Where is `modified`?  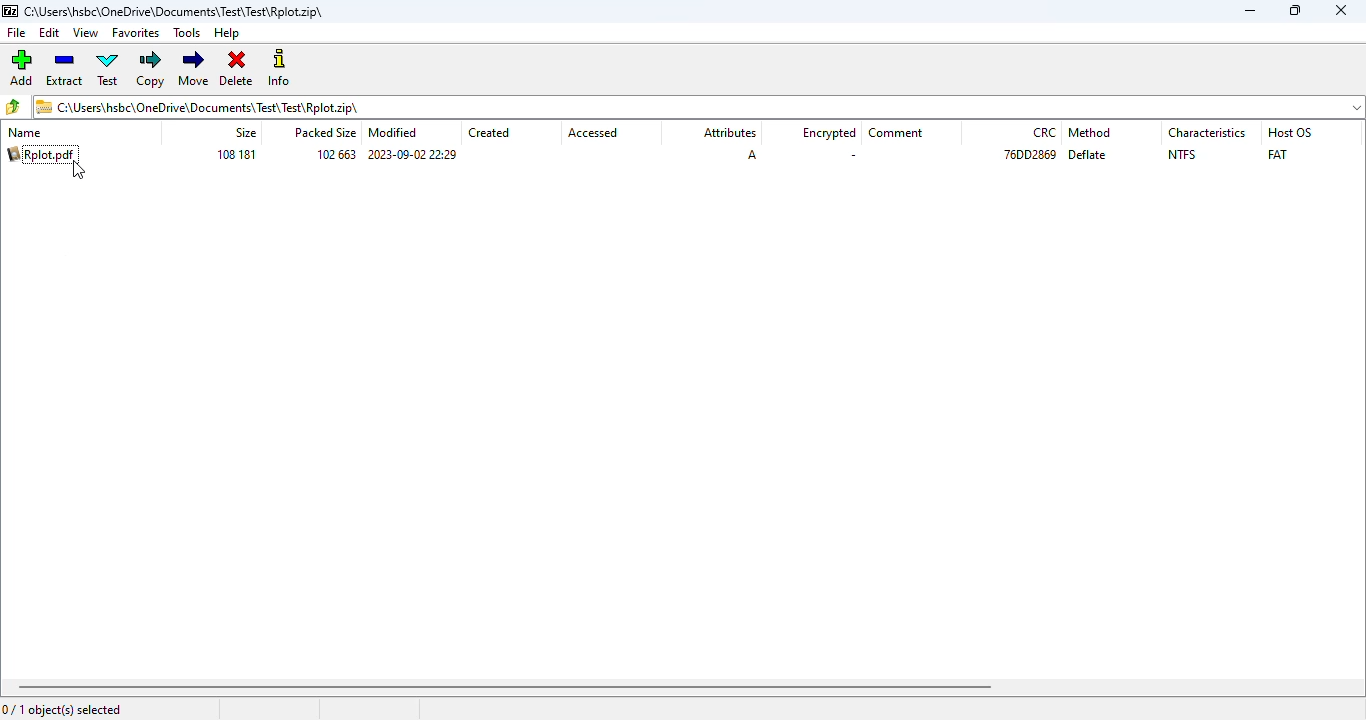
modified is located at coordinates (392, 133).